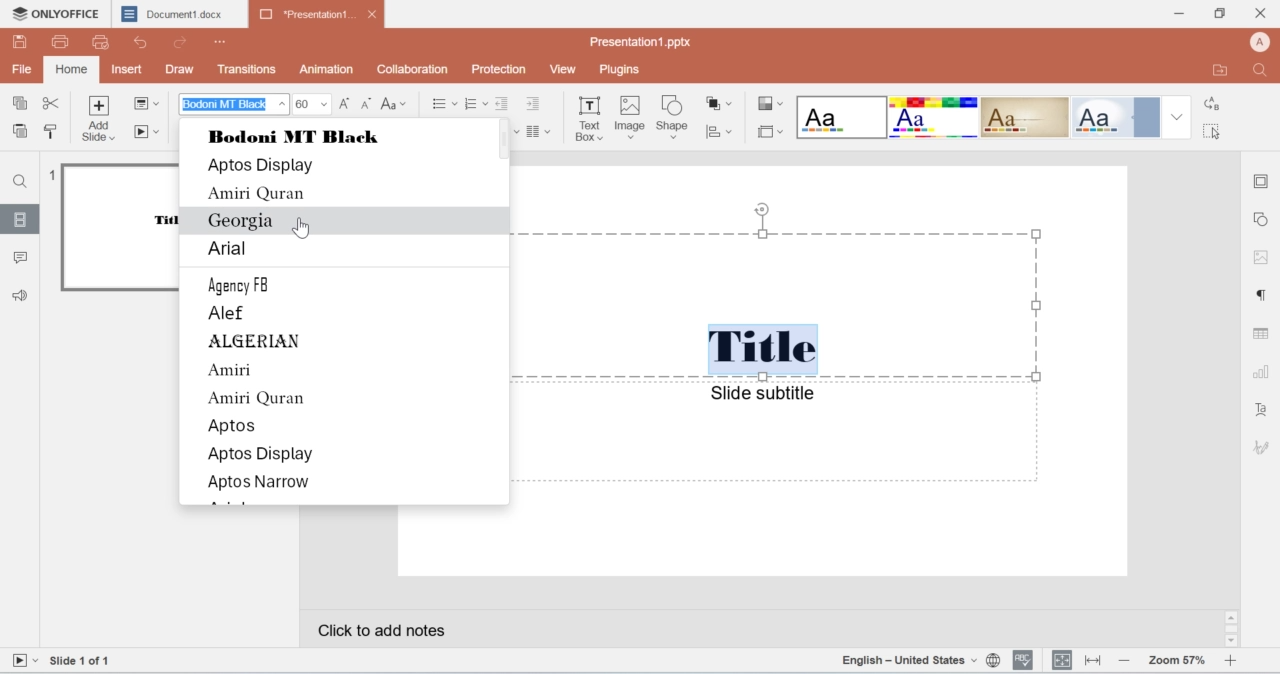 Image resolution: width=1280 pixels, height=674 pixels. Describe the element at coordinates (146, 42) in the screenshot. I see `Undo` at that location.